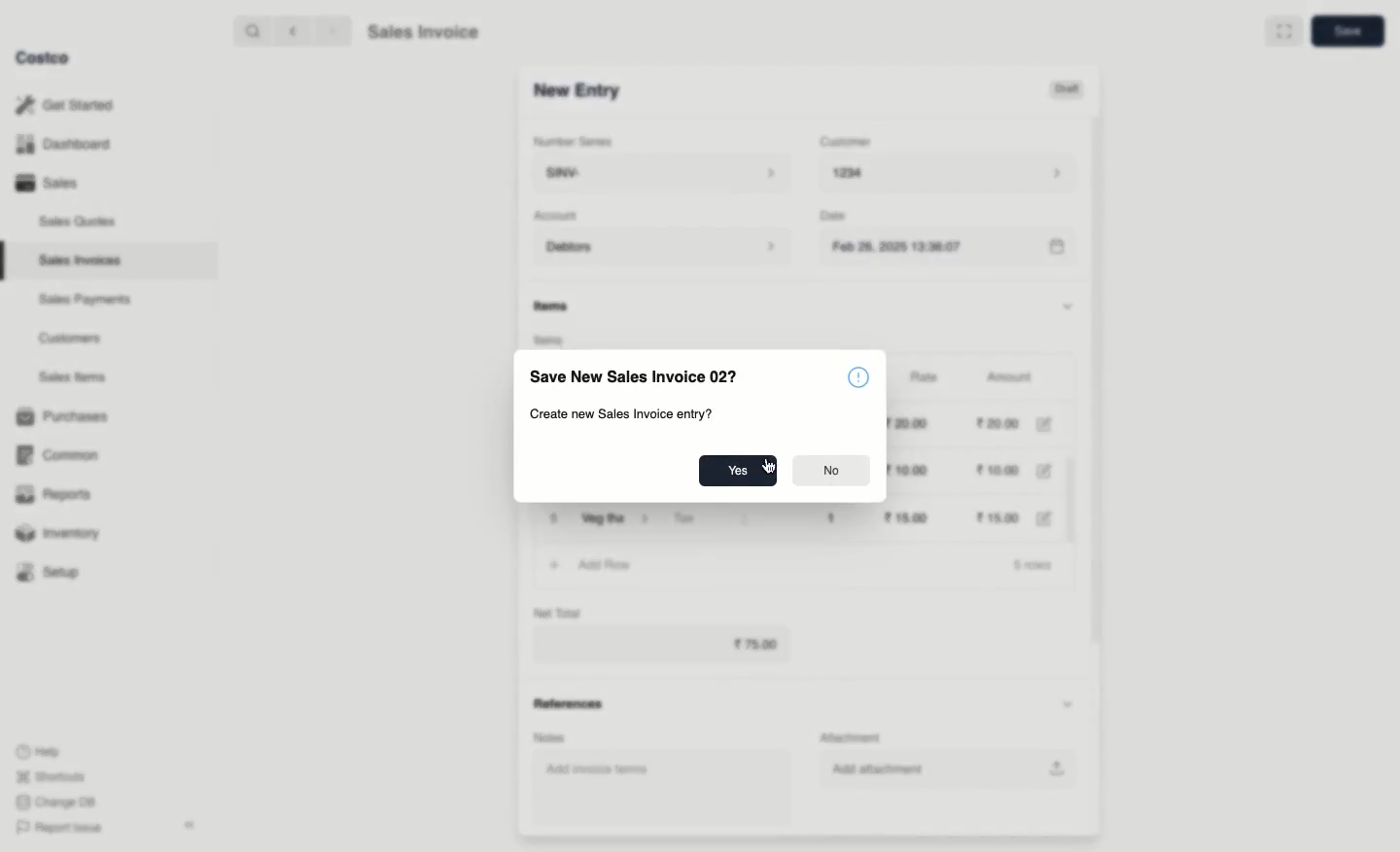  I want to click on Yes, so click(738, 472).